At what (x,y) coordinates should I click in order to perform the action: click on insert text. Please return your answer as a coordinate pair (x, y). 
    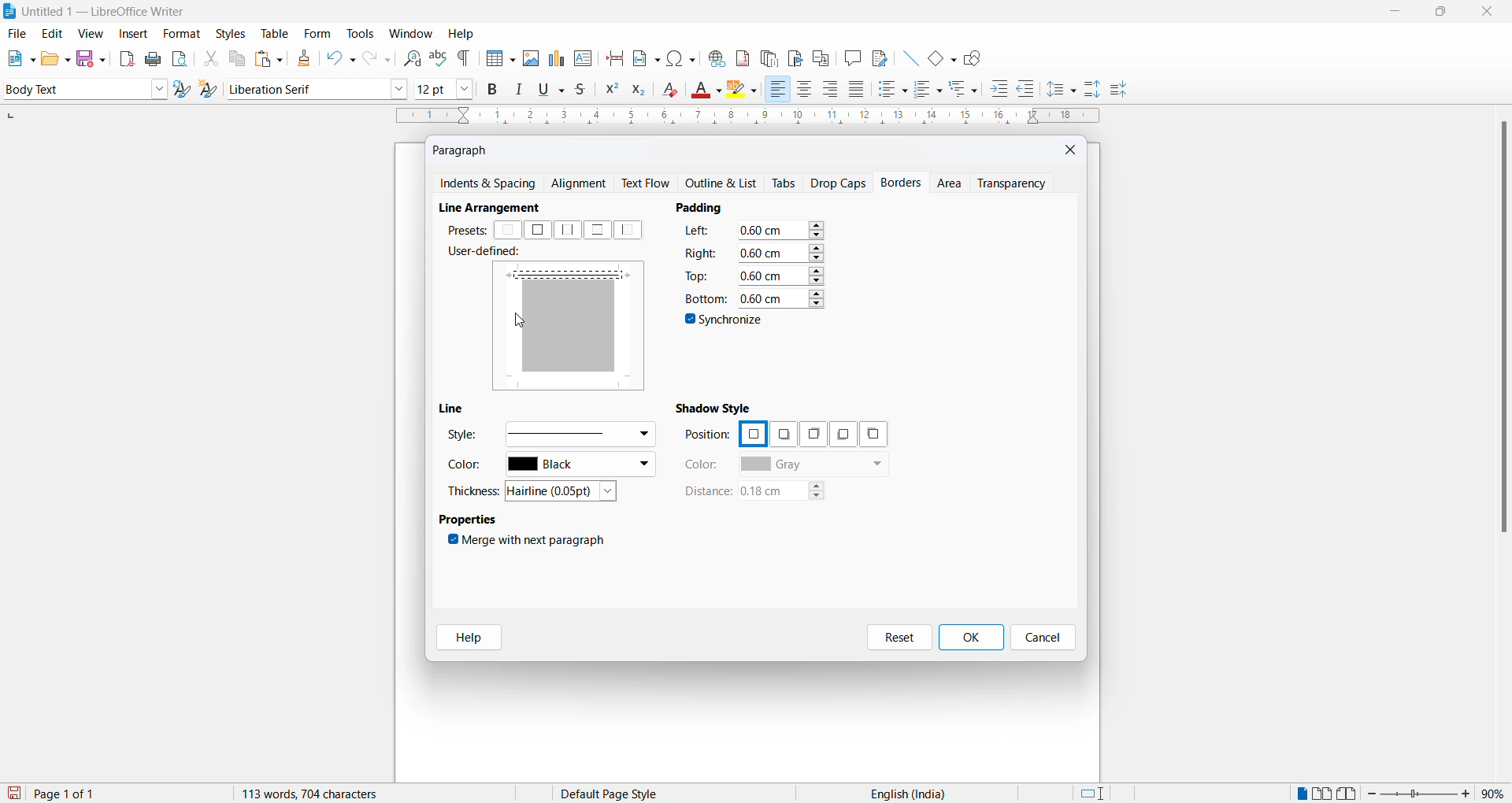
    Looking at the image, I should click on (584, 57).